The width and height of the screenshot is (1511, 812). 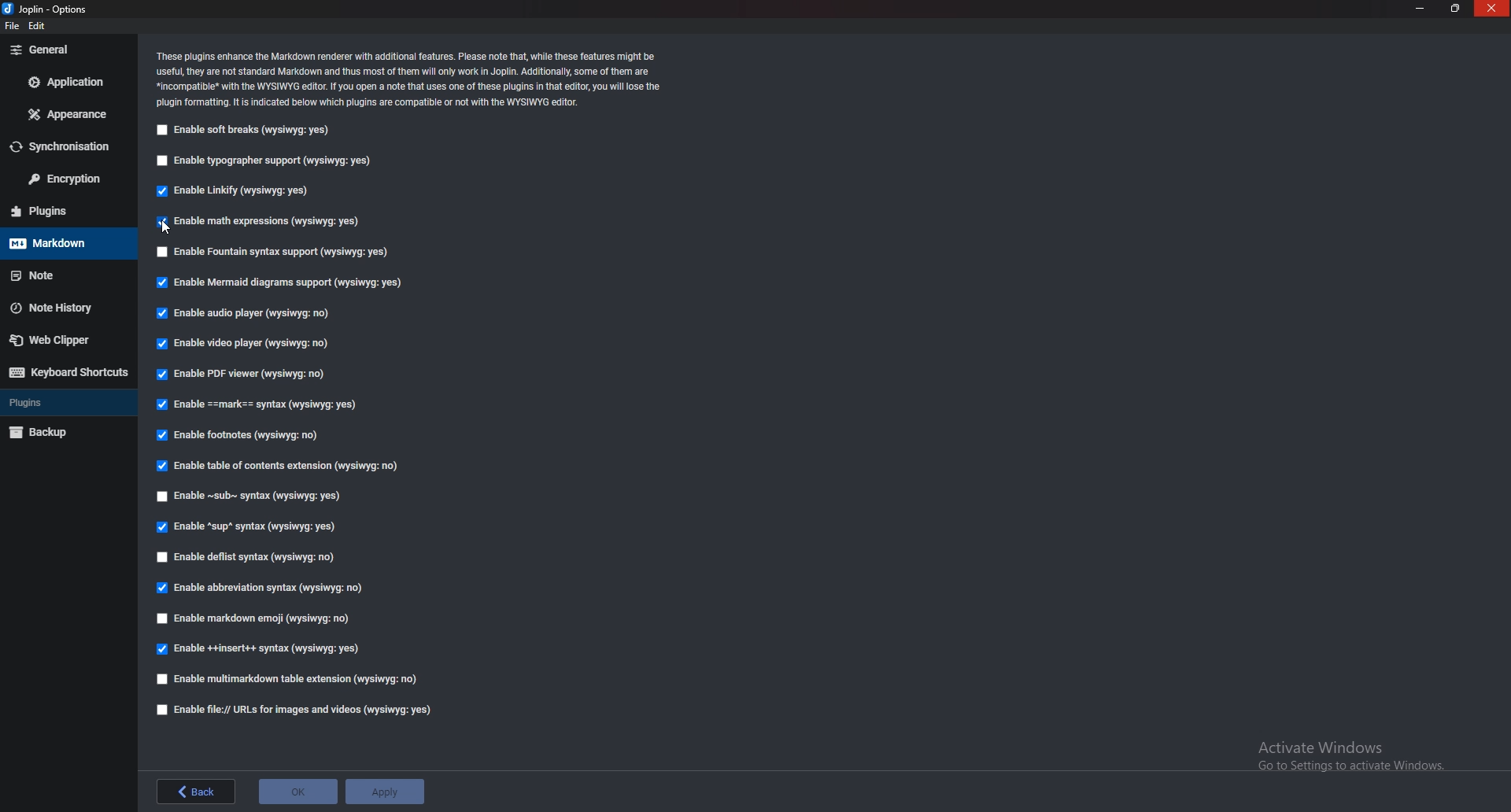 I want to click on Minimize, so click(x=1422, y=8).